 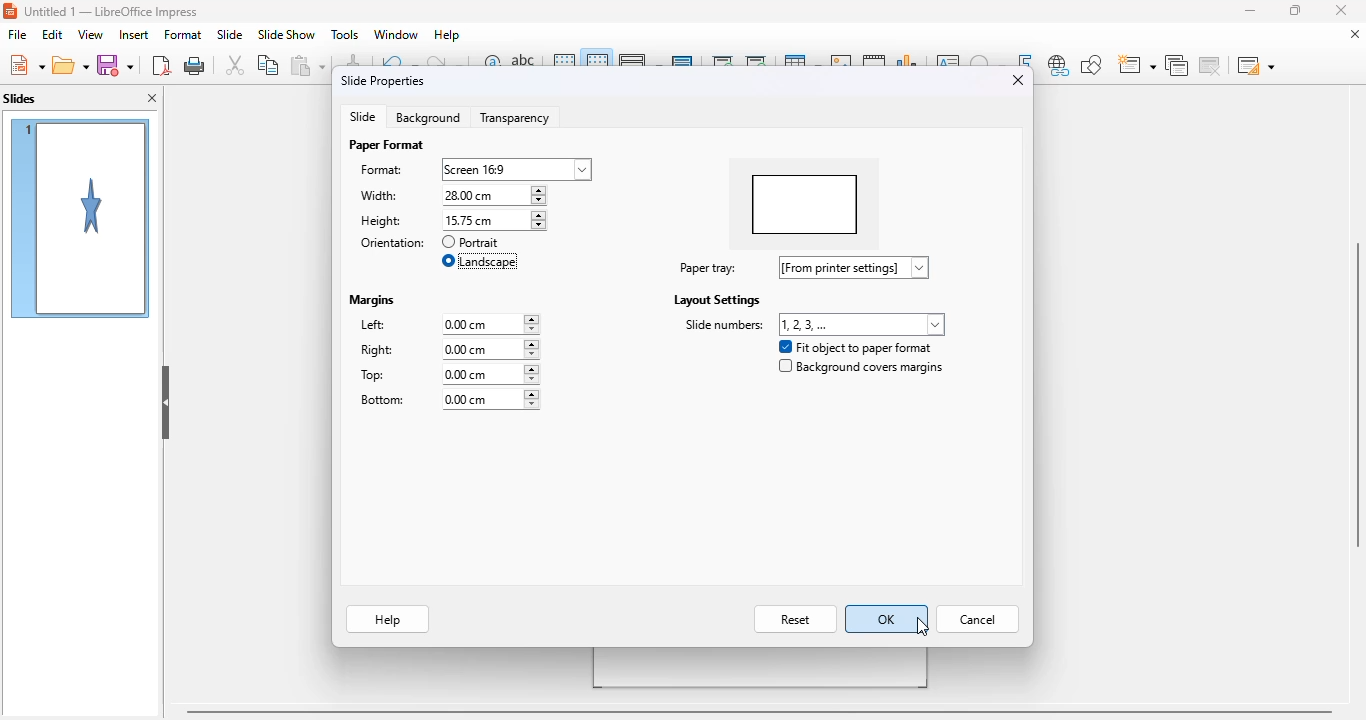 What do you see at coordinates (533, 344) in the screenshot?
I see `increase right margin` at bounding box center [533, 344].